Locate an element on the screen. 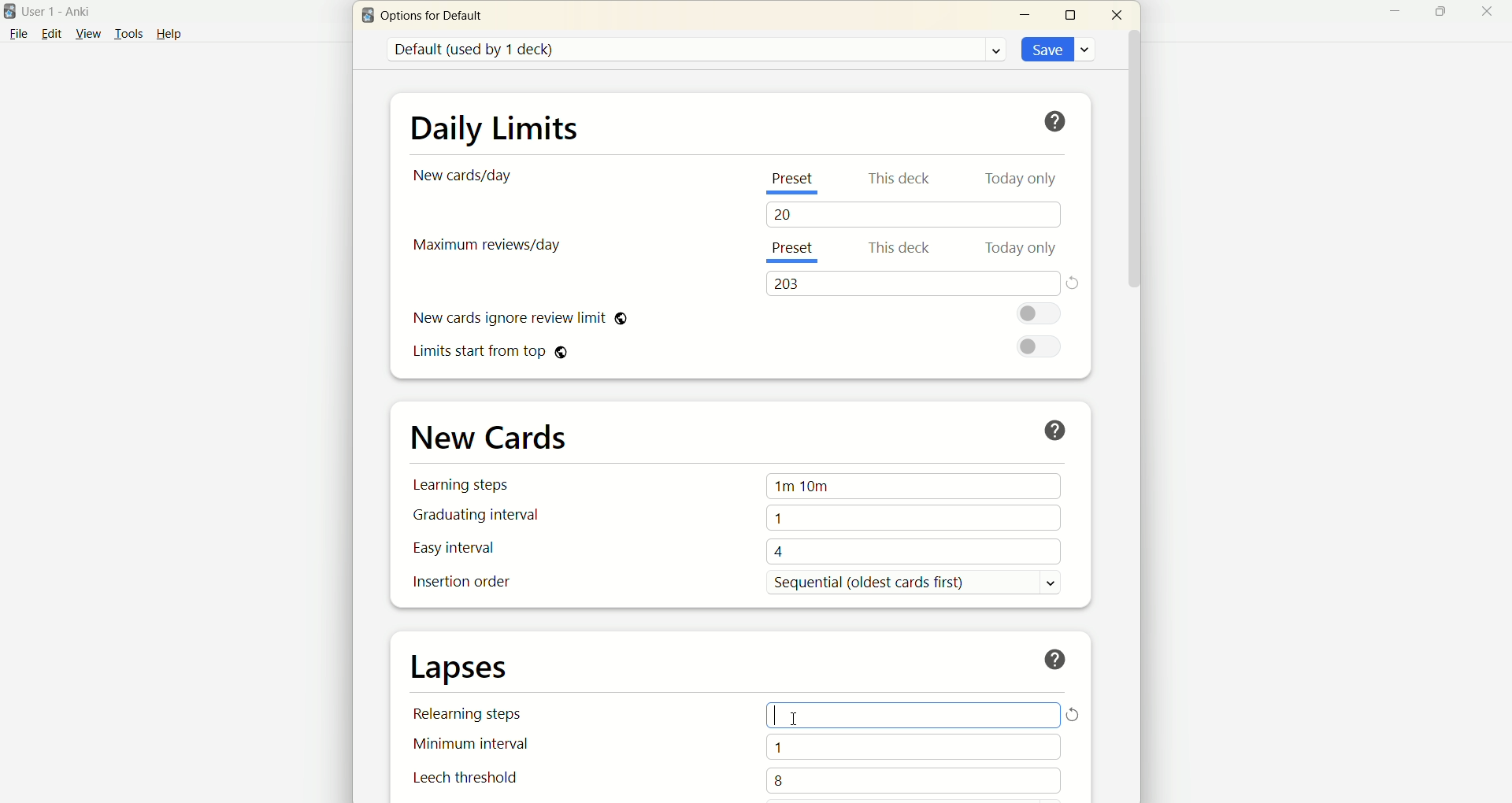  default (used by 1 deck) is located at coordinates (695, 50).